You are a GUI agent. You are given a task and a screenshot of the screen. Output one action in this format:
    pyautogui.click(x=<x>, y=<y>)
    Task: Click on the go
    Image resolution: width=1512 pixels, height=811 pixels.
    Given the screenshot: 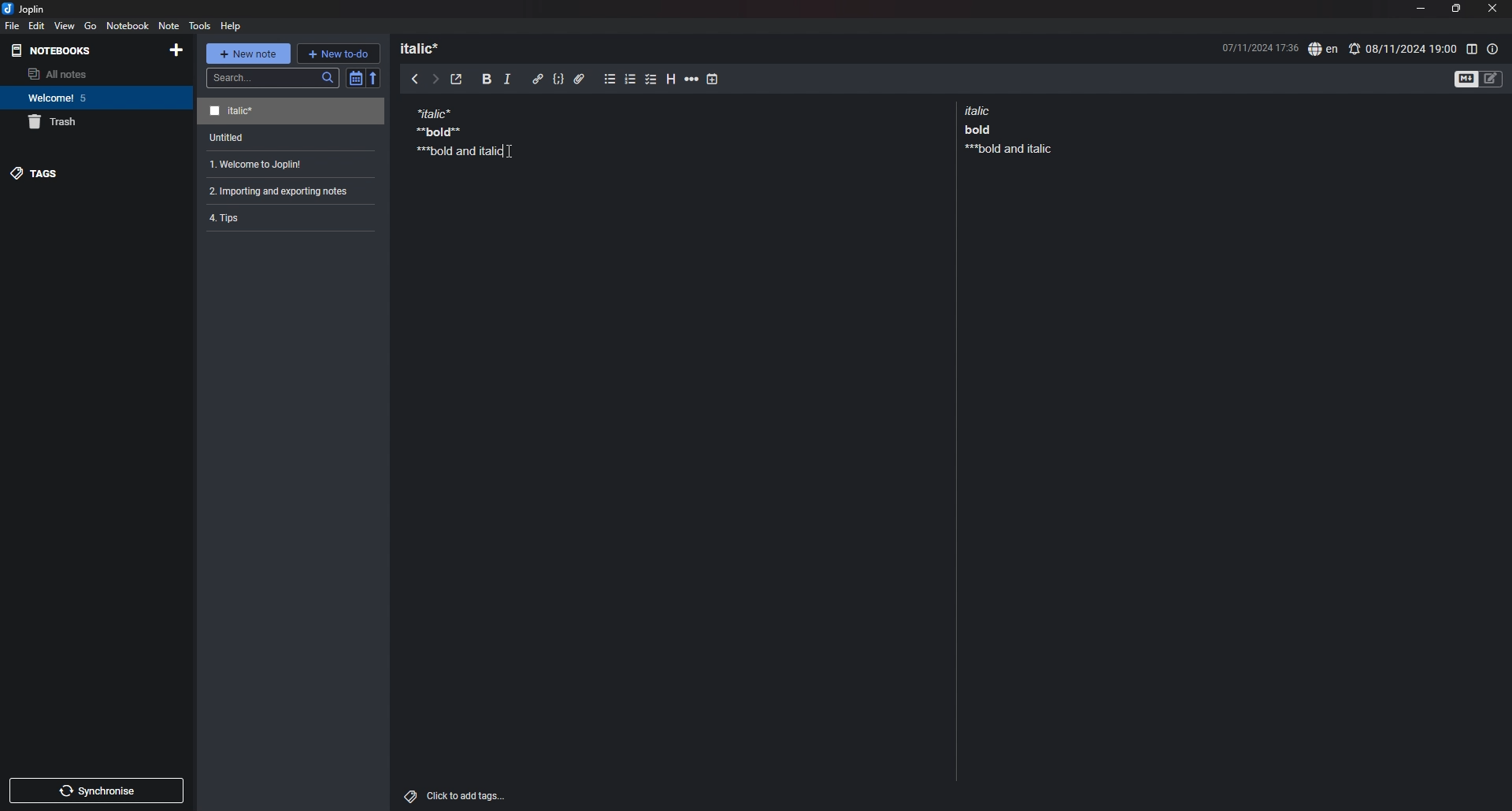 What is the action you would take?
    pyautogui.click(x=90, y=26)
    